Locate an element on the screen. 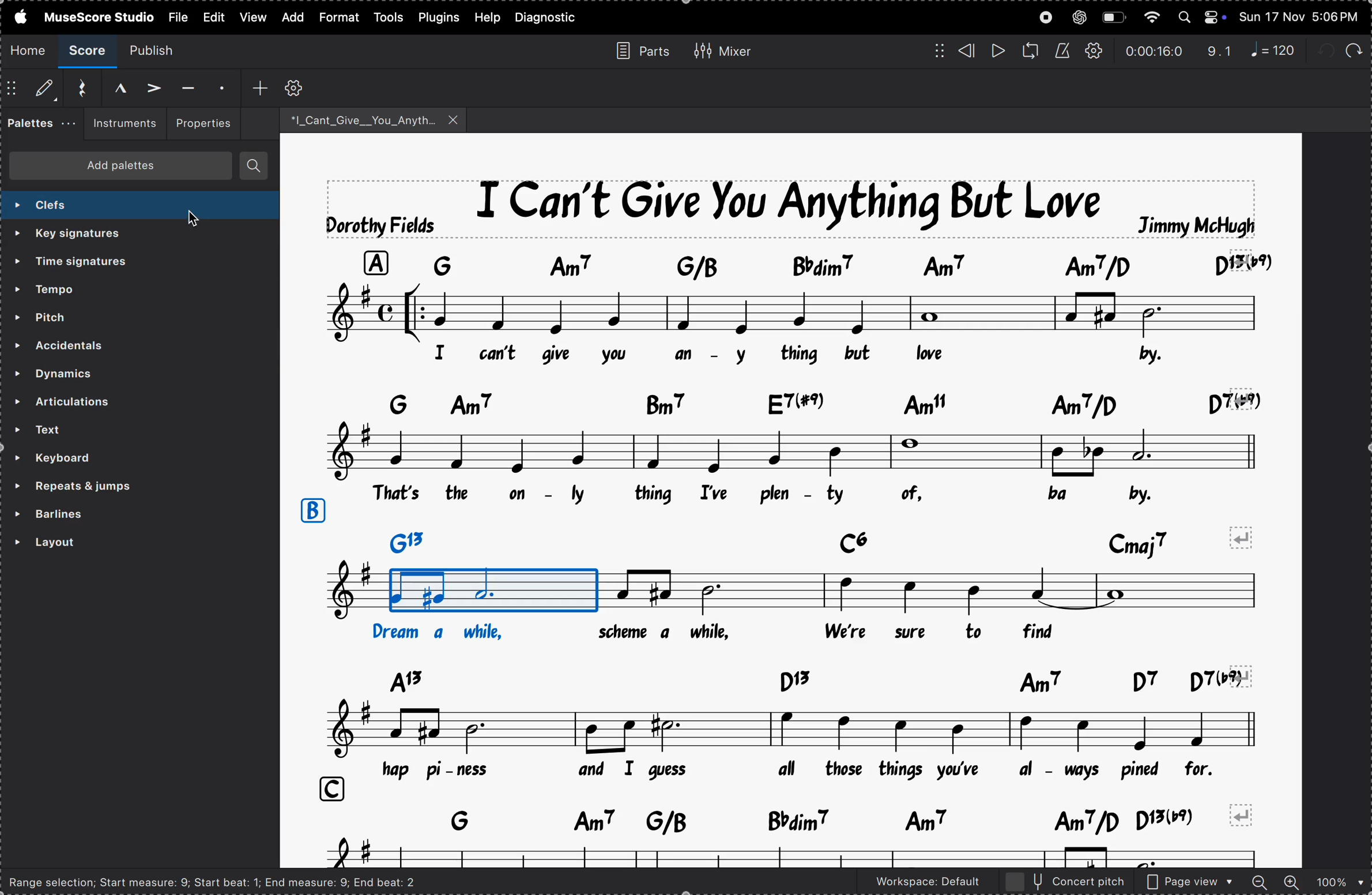 This screenshot has height=895, width=1372. lyrics is located at coordinates (798, 495).